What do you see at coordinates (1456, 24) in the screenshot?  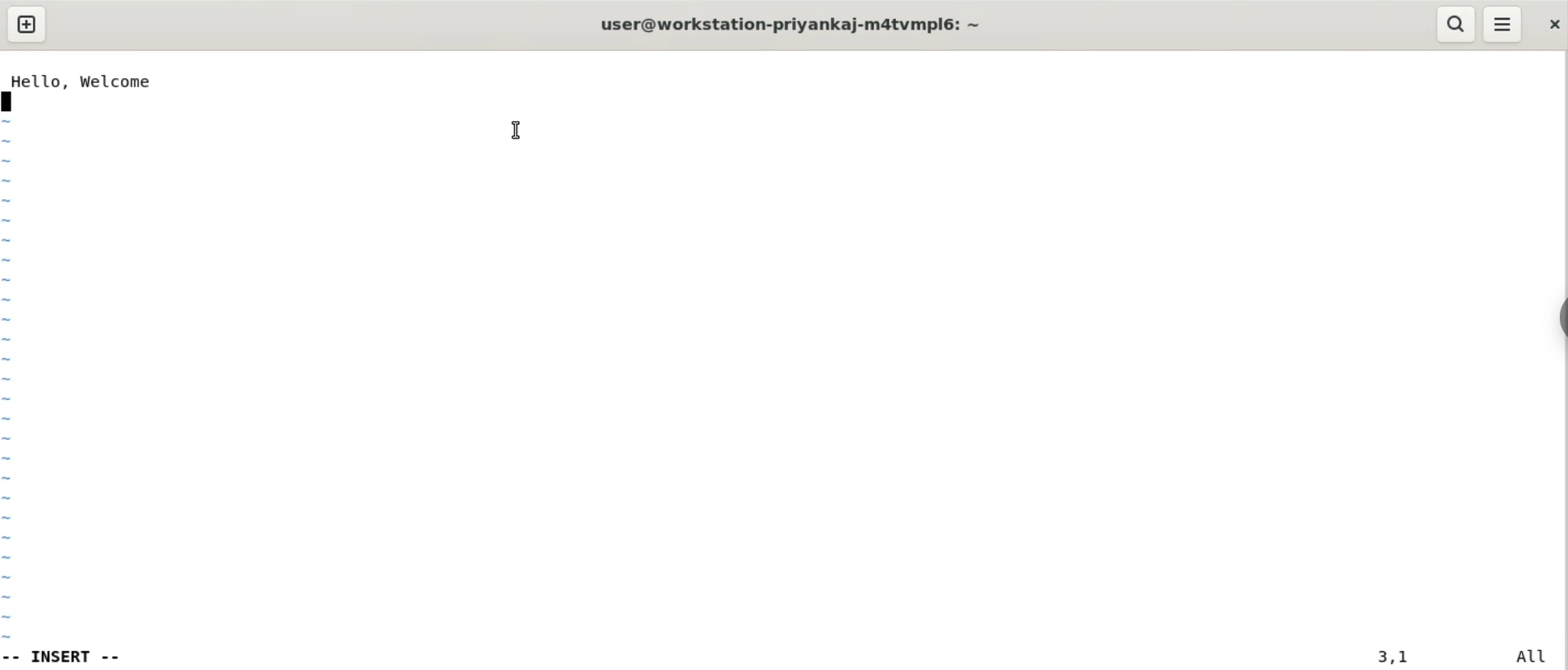 I see `search` at bounding box center [1456, 24].